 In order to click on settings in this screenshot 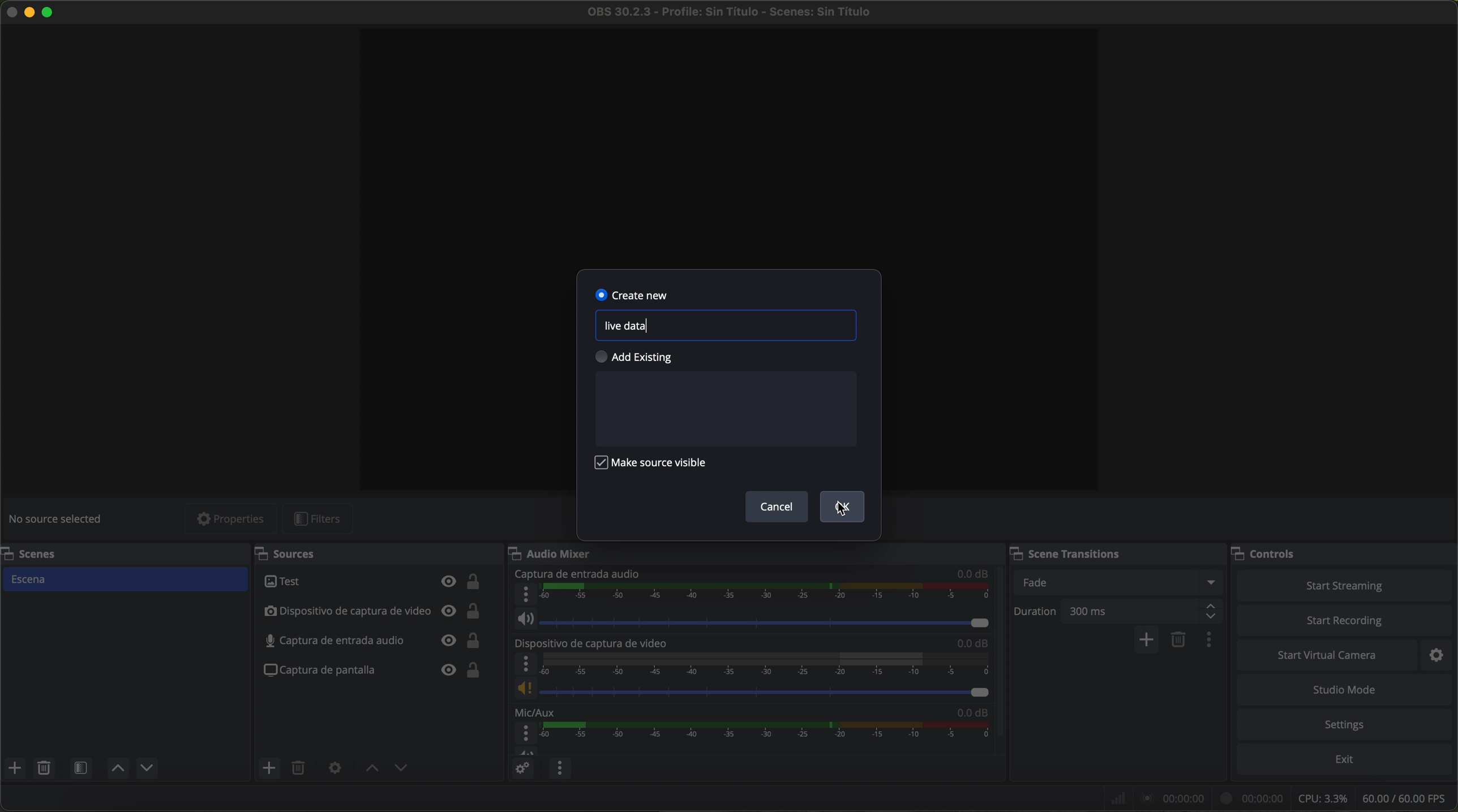, I will do `click(1346, 724)`.